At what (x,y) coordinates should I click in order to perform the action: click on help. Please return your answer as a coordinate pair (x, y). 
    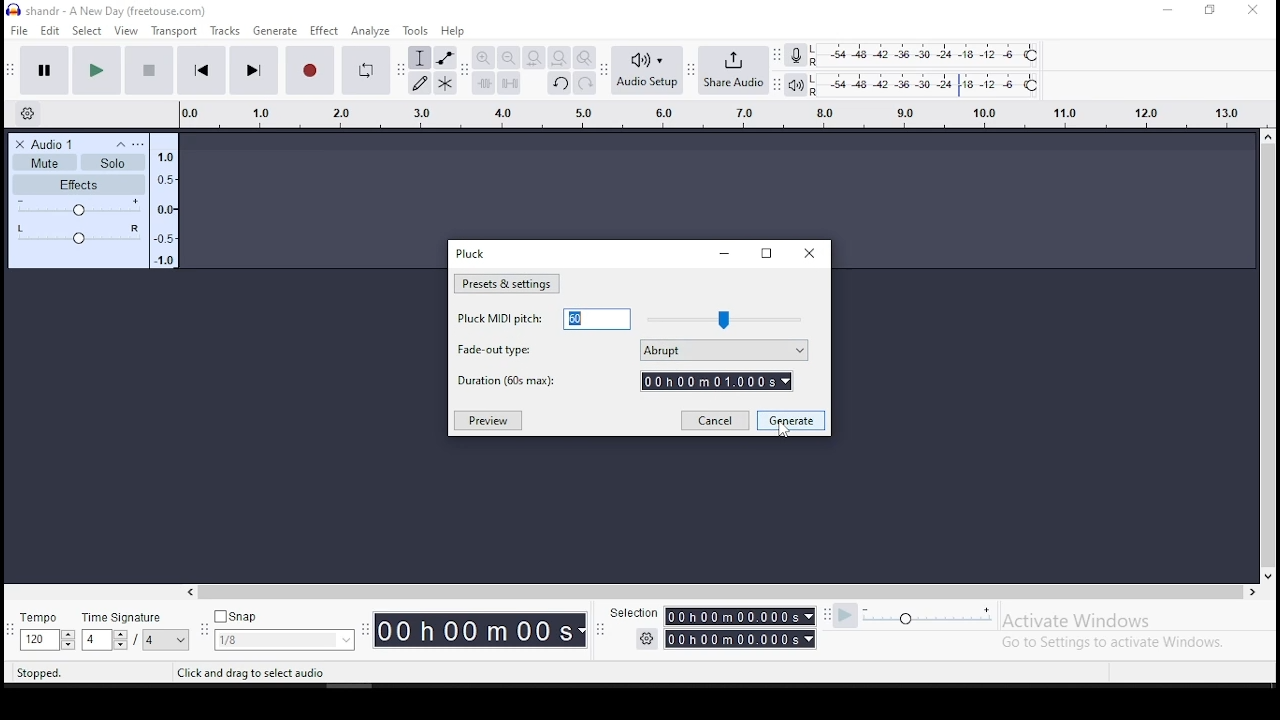
    Looking at the image, I should click on (453, 30).